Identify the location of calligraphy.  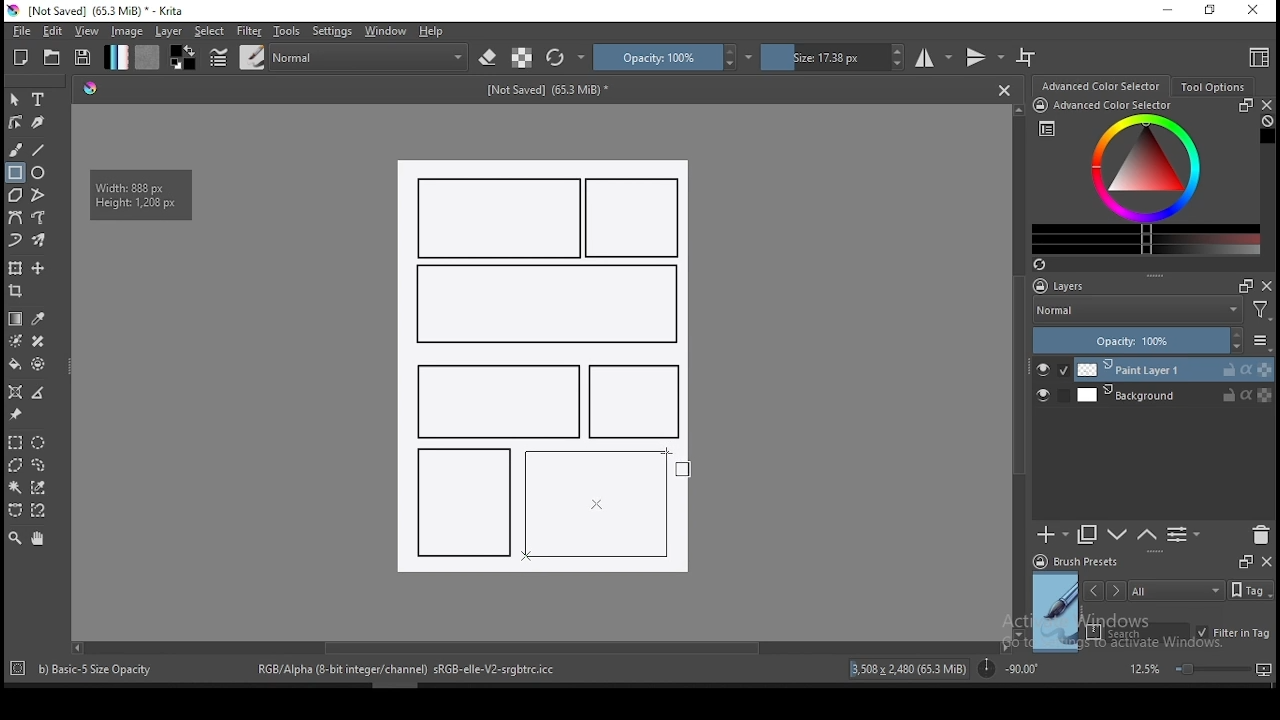
(39, 121).